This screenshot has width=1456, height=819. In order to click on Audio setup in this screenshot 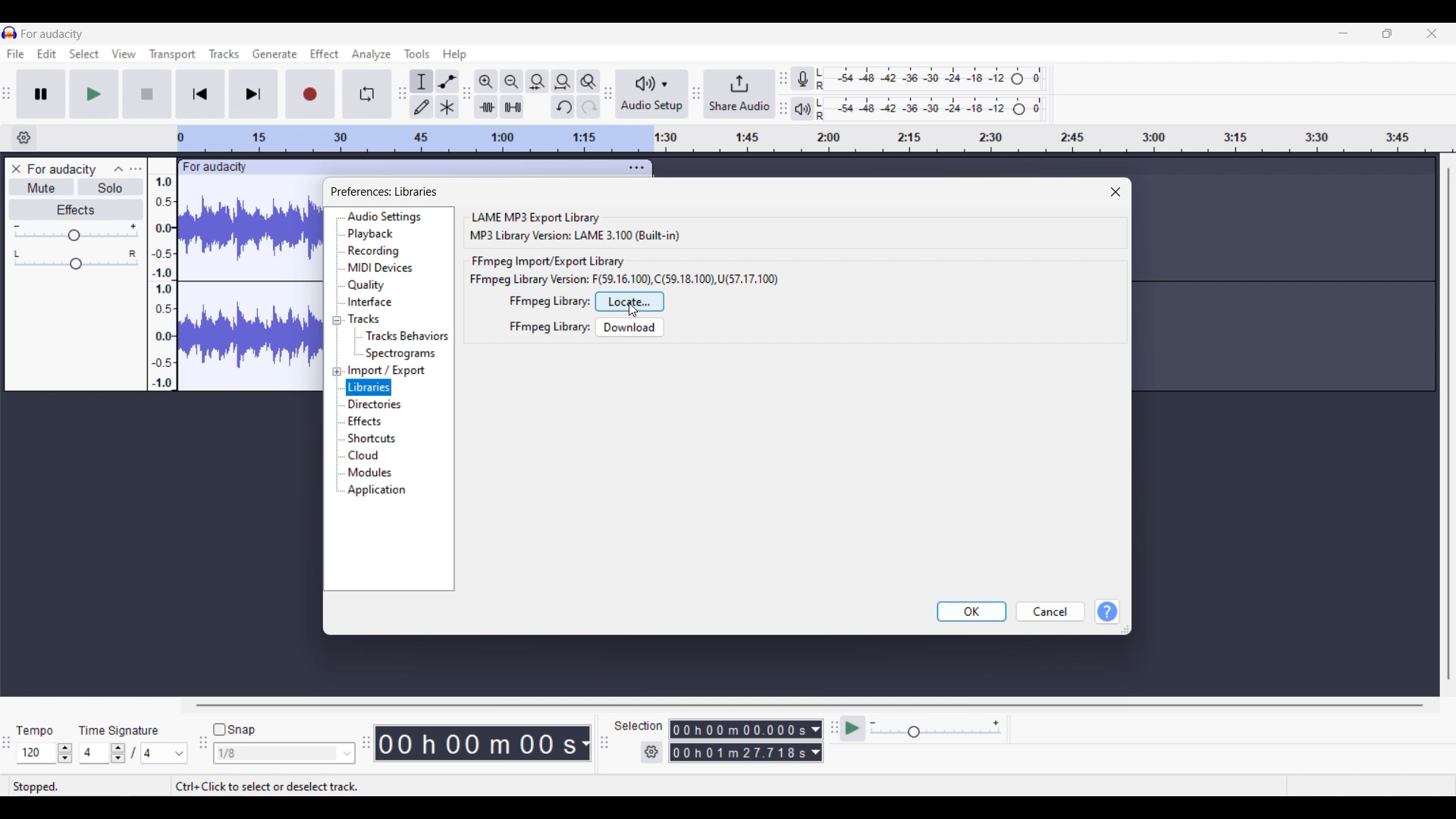, I will do `click(651, 94)`.